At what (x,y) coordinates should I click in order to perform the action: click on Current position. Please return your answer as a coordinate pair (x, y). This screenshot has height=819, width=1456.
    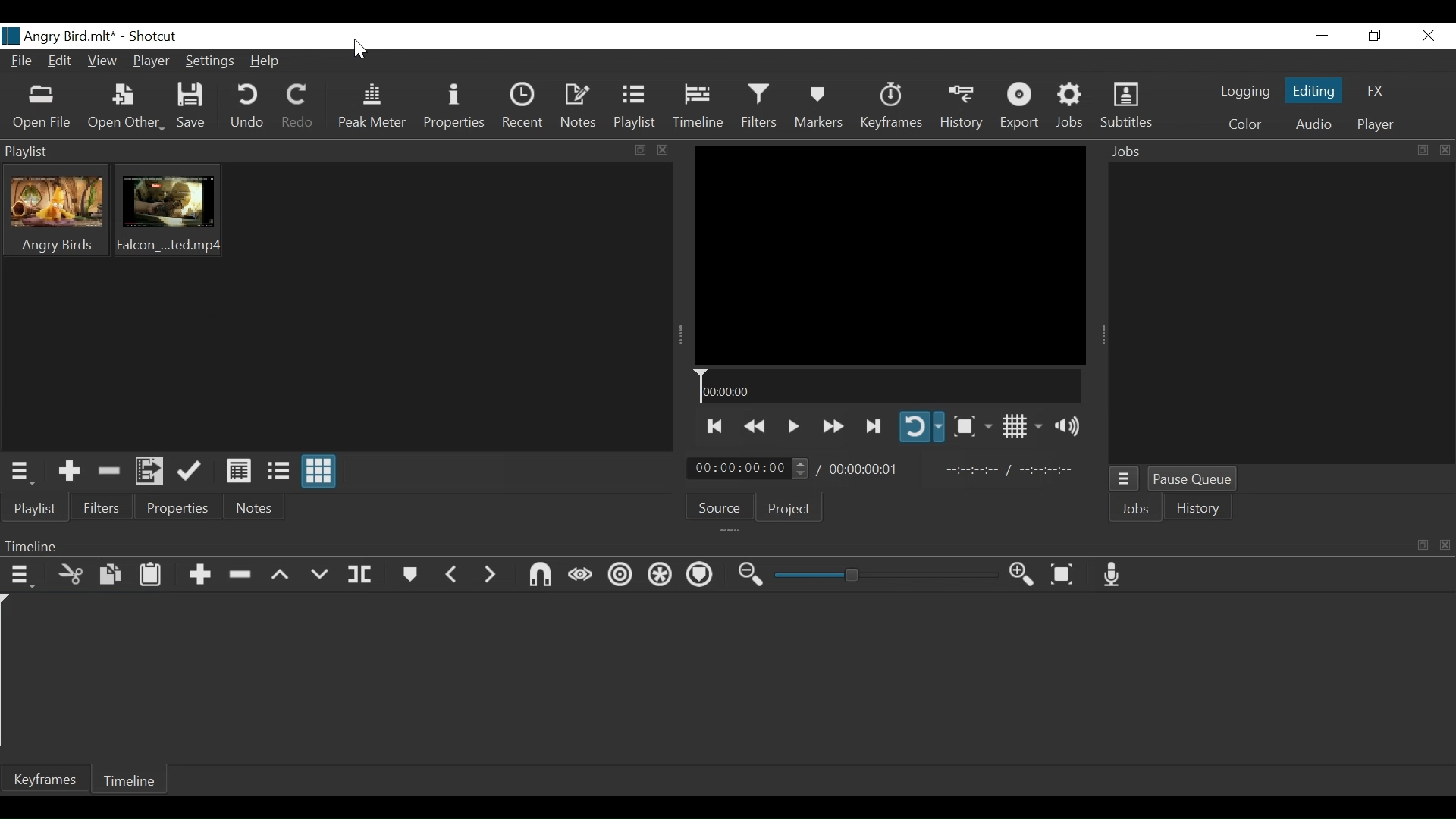
    Looking at the image, I should click on (748, 468).